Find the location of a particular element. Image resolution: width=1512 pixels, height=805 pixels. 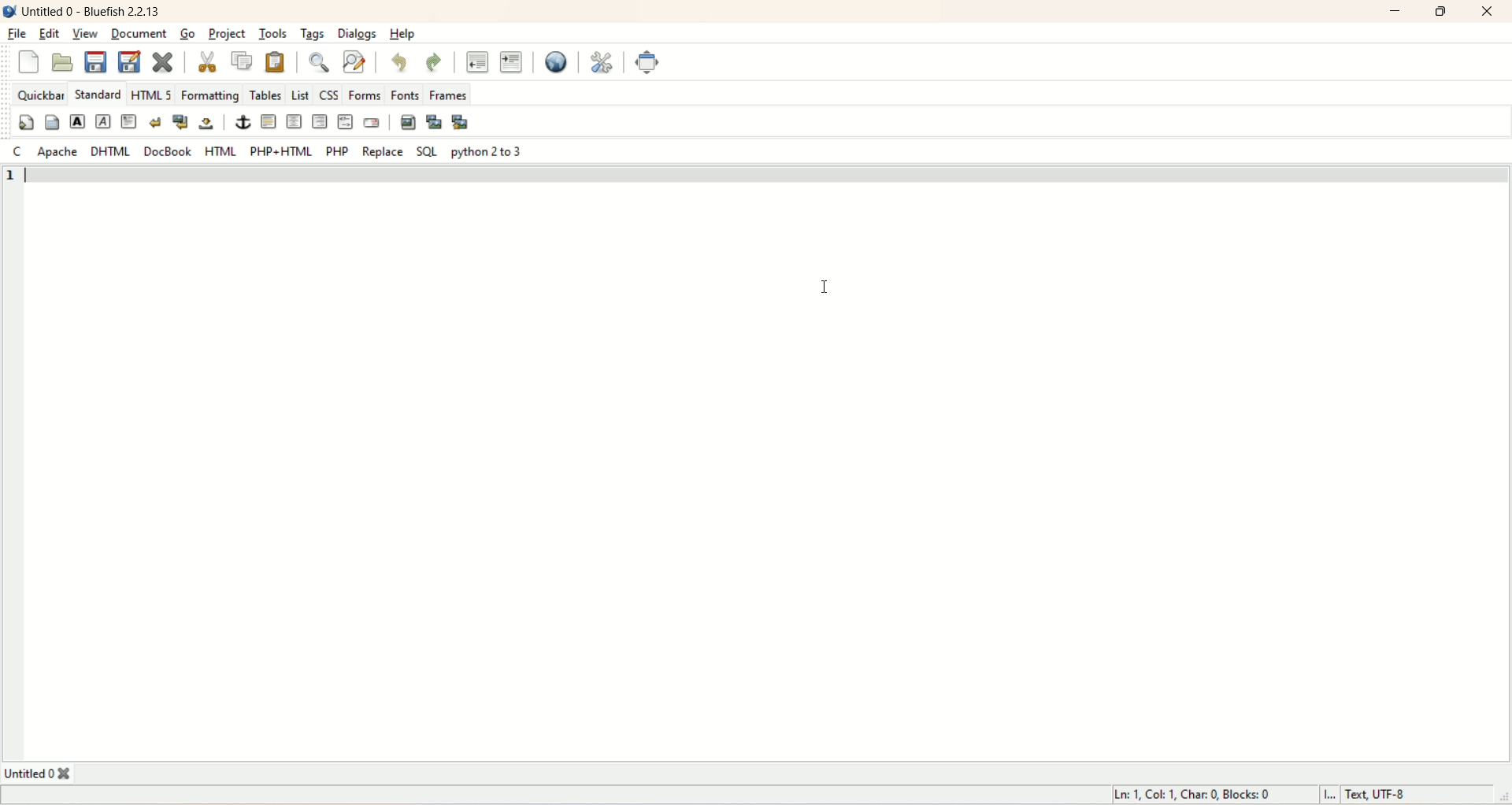

CSS is located at coordinates (330, 94).